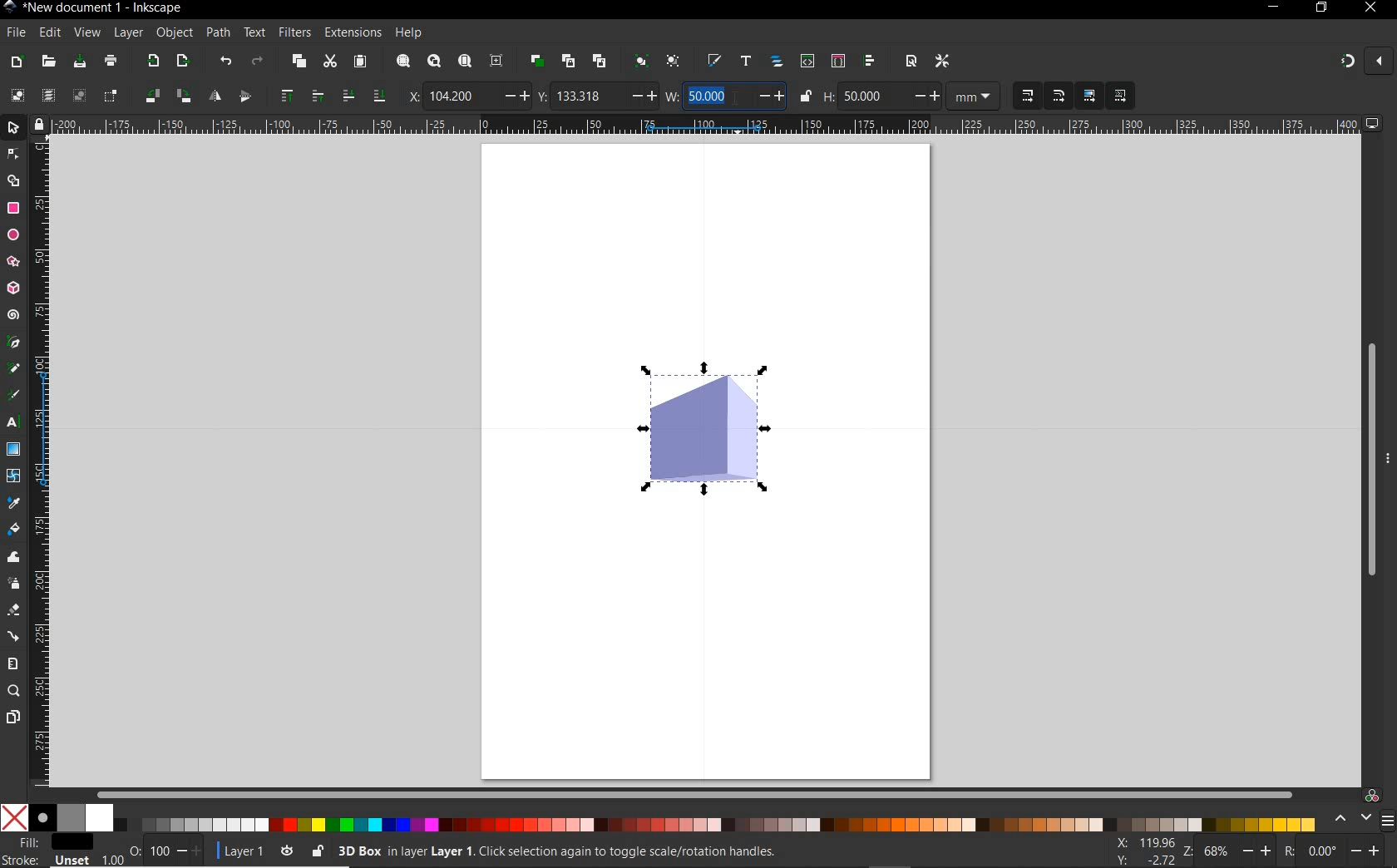  Describe the element at coordinates (360, 62) in the screenshot. I see `paste` at that location.